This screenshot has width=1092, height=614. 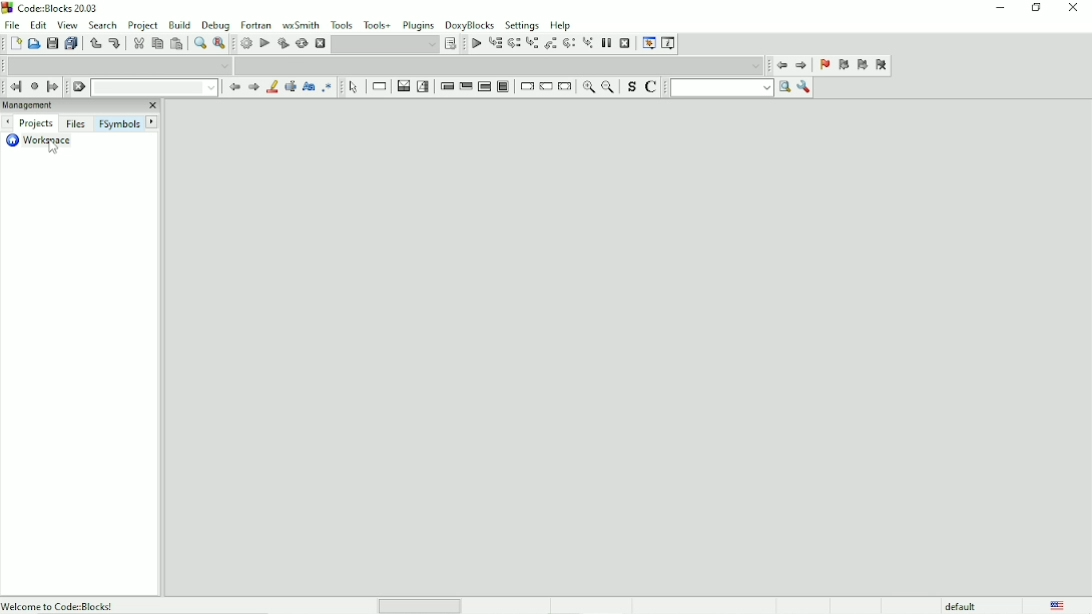 I want to click on Selected text, so click(x=289, y=87).